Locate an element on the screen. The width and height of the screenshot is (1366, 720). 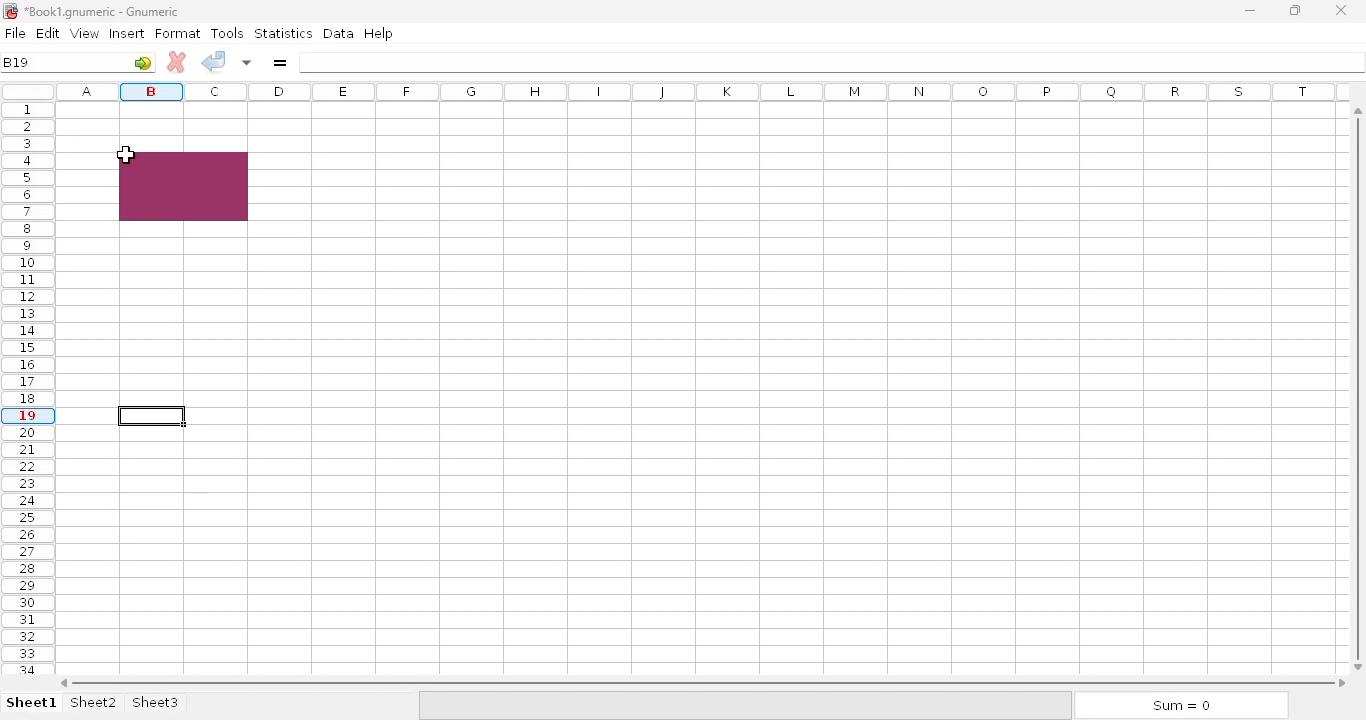
current active cell is located at coordinates (153, 416).